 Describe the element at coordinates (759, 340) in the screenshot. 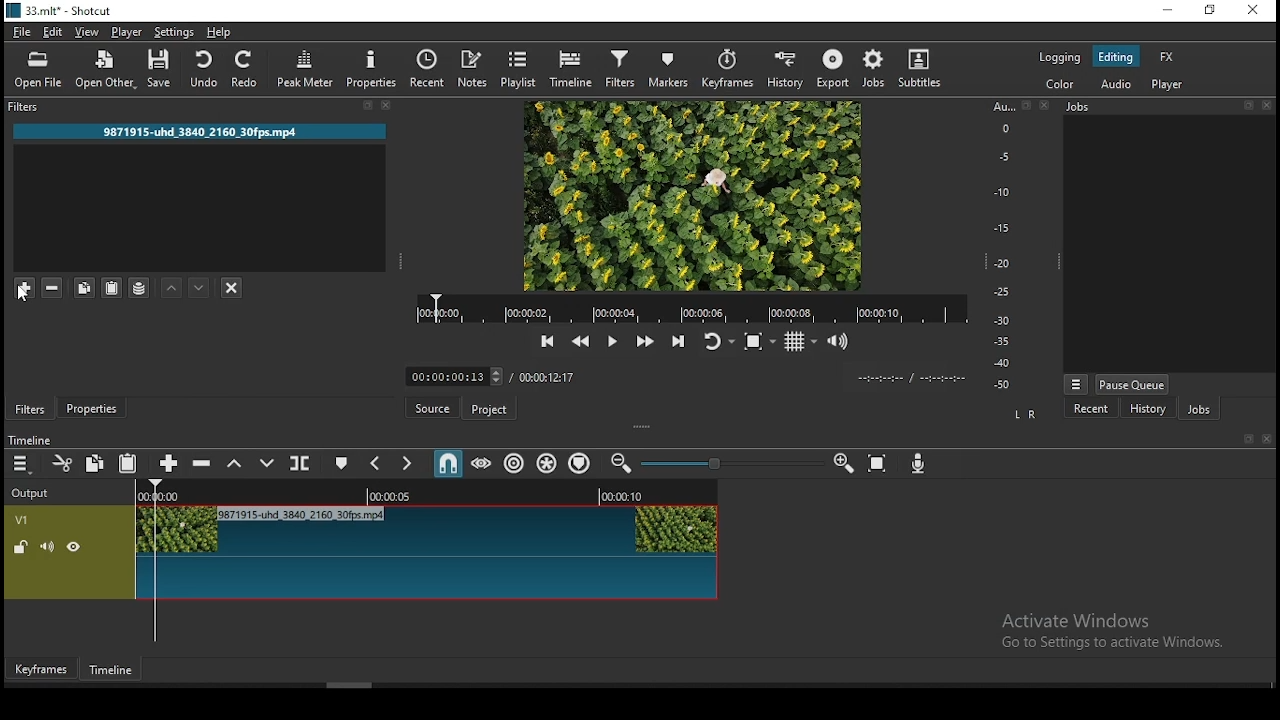

I see `toggle zoom` at that location.